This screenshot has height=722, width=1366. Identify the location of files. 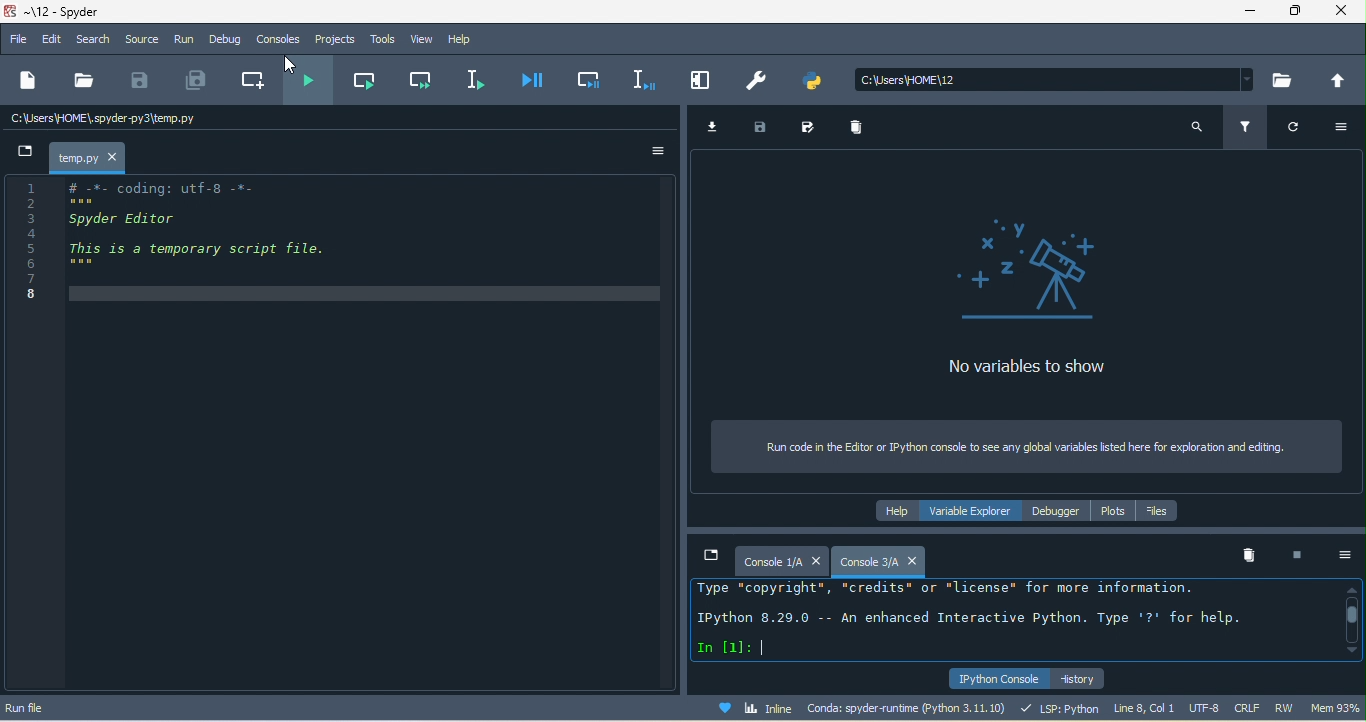
(1163, 512).